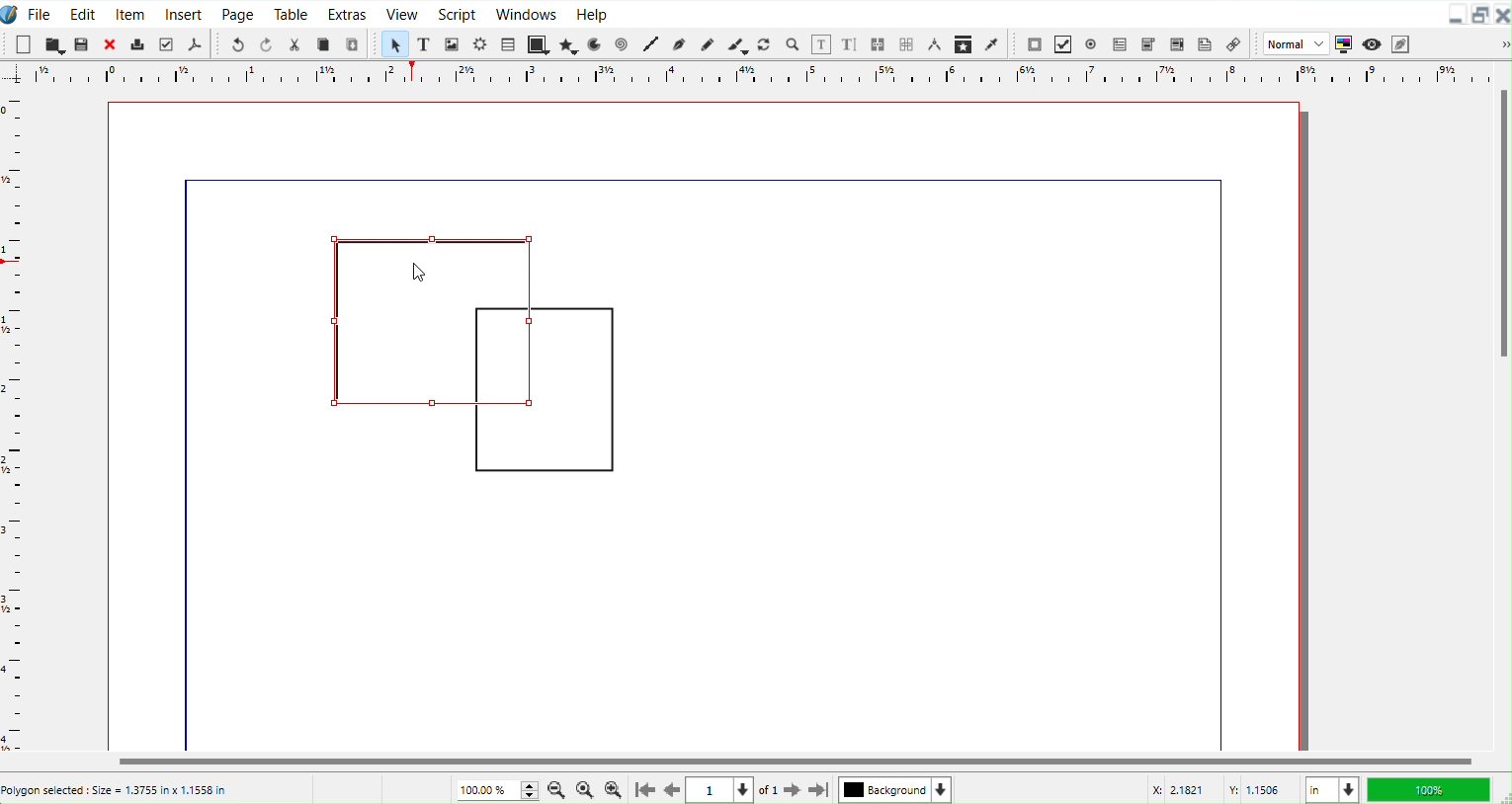 The height and width of the screenshot is (804, 1512). What do you see at coordinates (535, 470) in the screenshot?
I see `line` at bounding box center [535, 470].